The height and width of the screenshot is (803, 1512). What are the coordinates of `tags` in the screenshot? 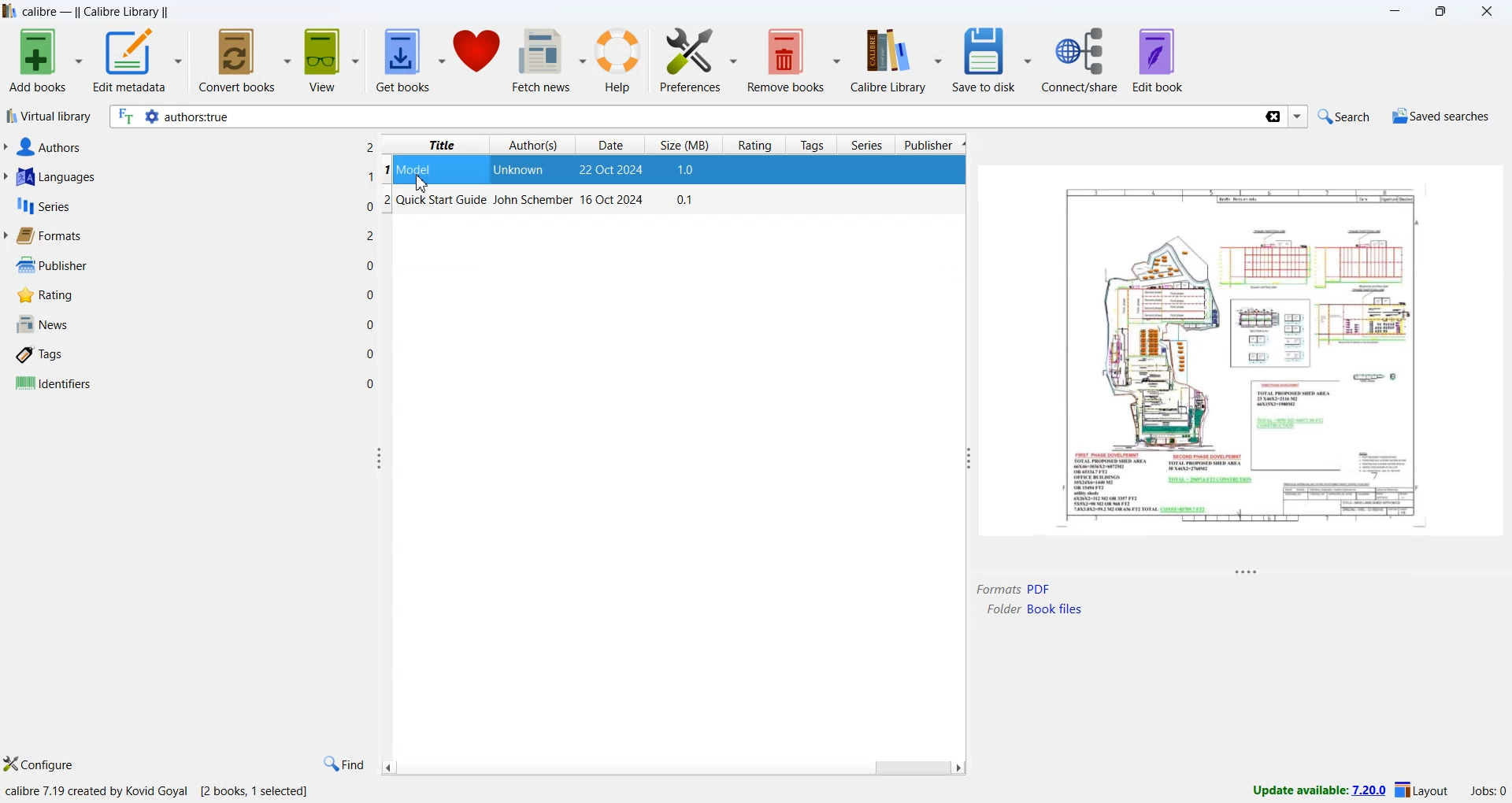 It's located at (814, 145).